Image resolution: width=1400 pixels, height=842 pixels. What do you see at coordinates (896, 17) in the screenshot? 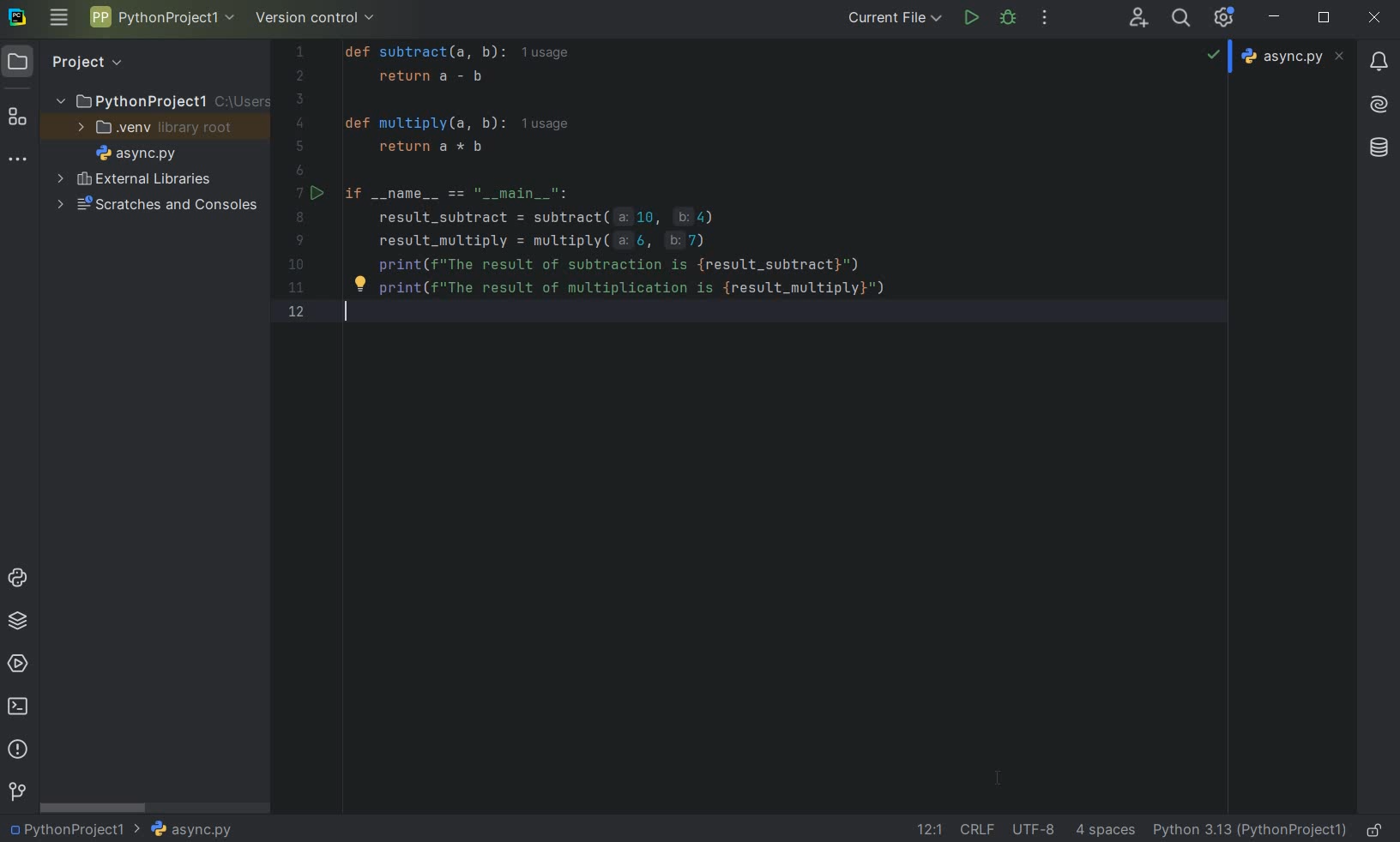
I see `current file` at bounding box center [896, 17].